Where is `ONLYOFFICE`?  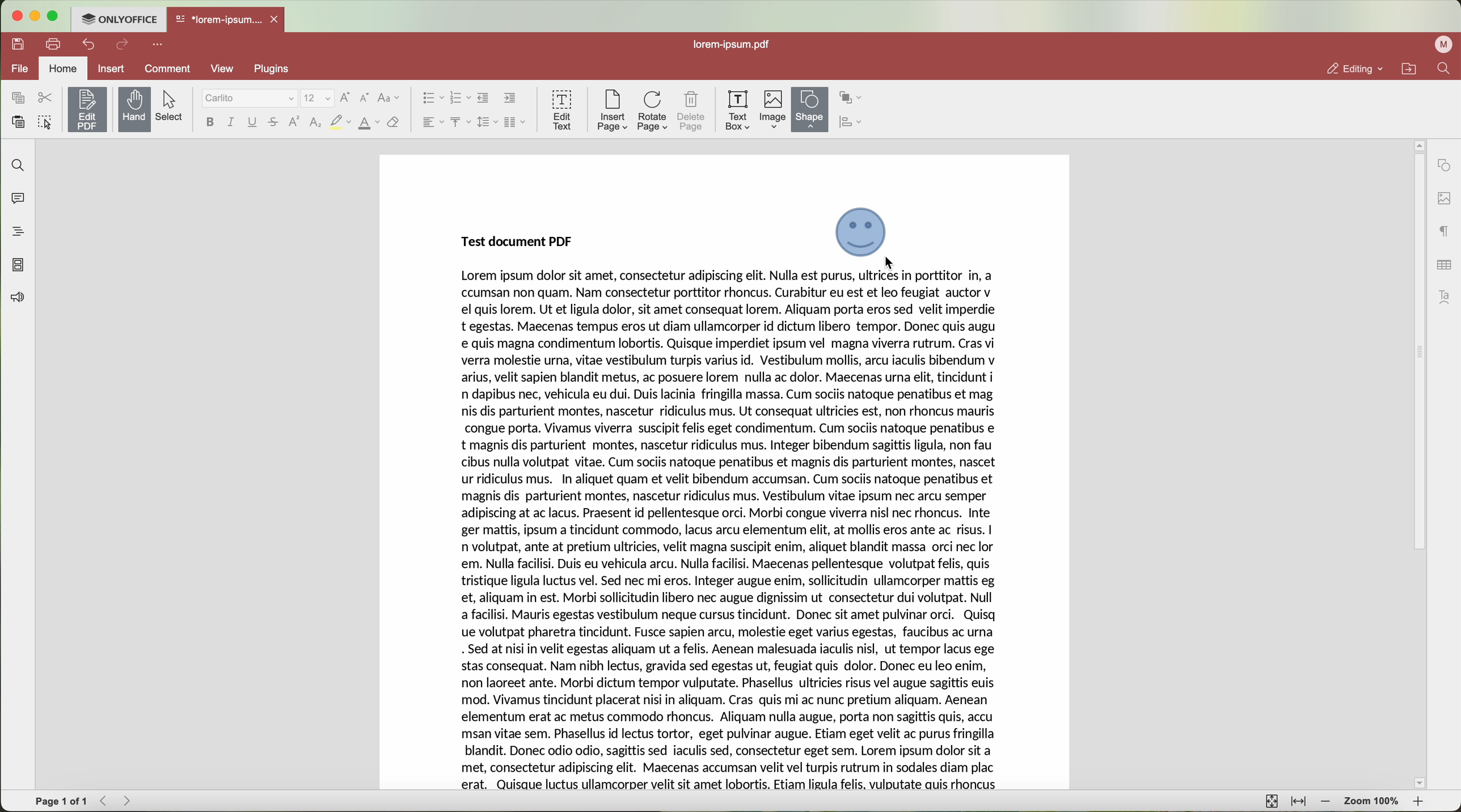 ONLYOFFICE is located at coordinates (120, 19).